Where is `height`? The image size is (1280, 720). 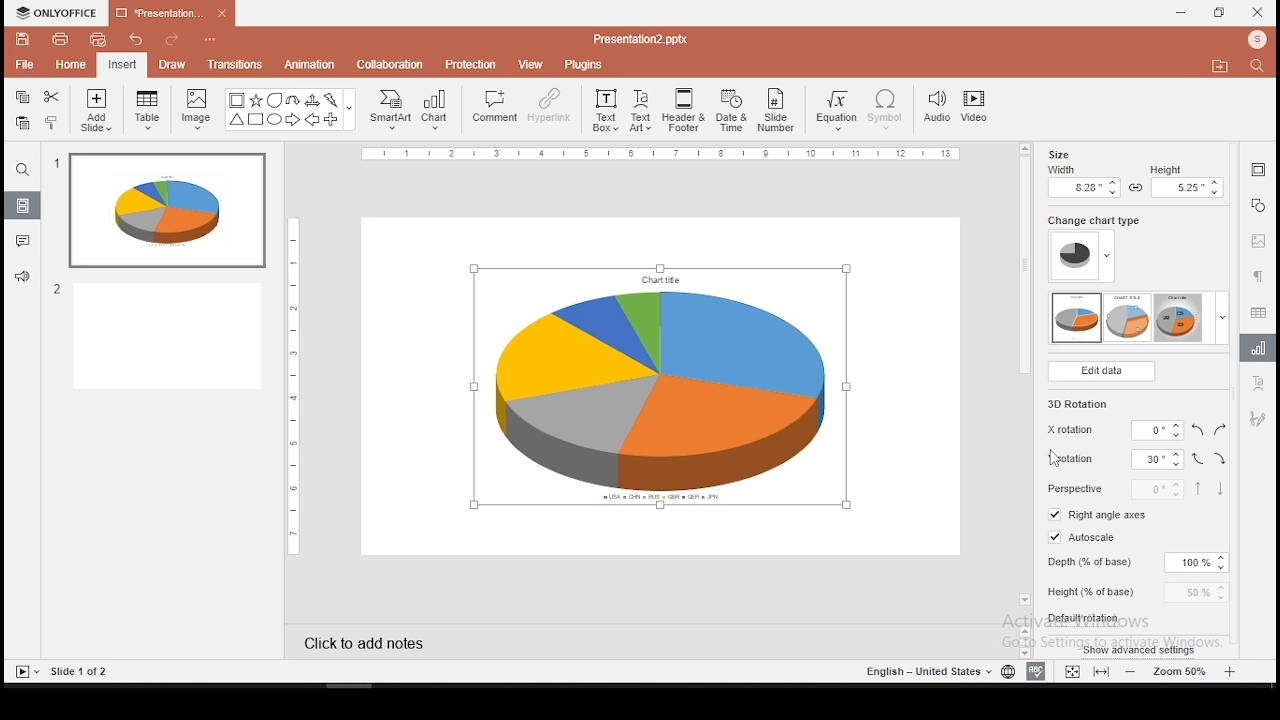 height is located at coordinates (1186, 181).